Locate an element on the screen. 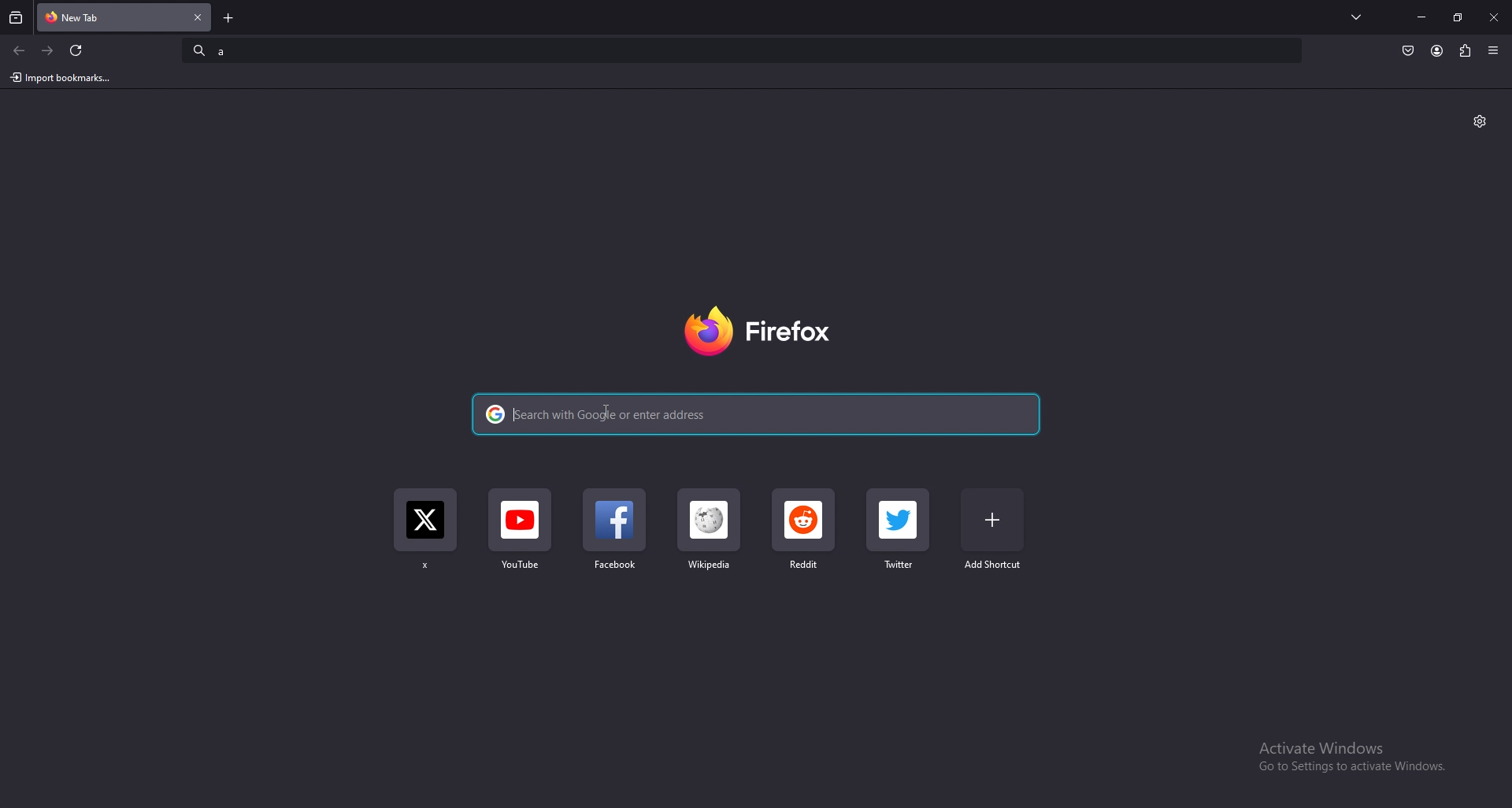 This screenshot has width=1512, height=808. application menu is located at coordinates (1495, 50).